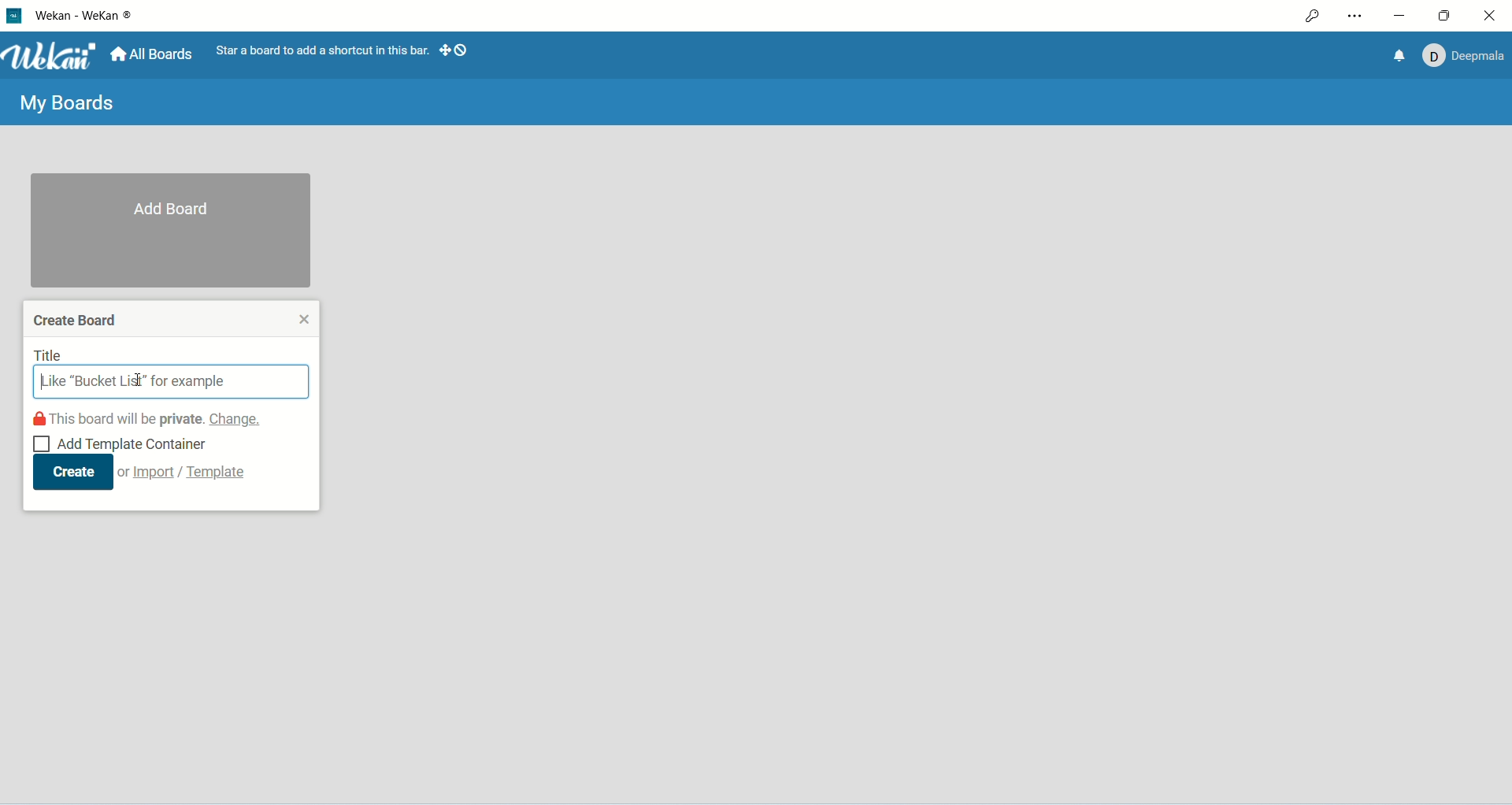  Describe the element at coordinates (87, 18) in the screenshot. I see `WeKan-Wekan` at that location.